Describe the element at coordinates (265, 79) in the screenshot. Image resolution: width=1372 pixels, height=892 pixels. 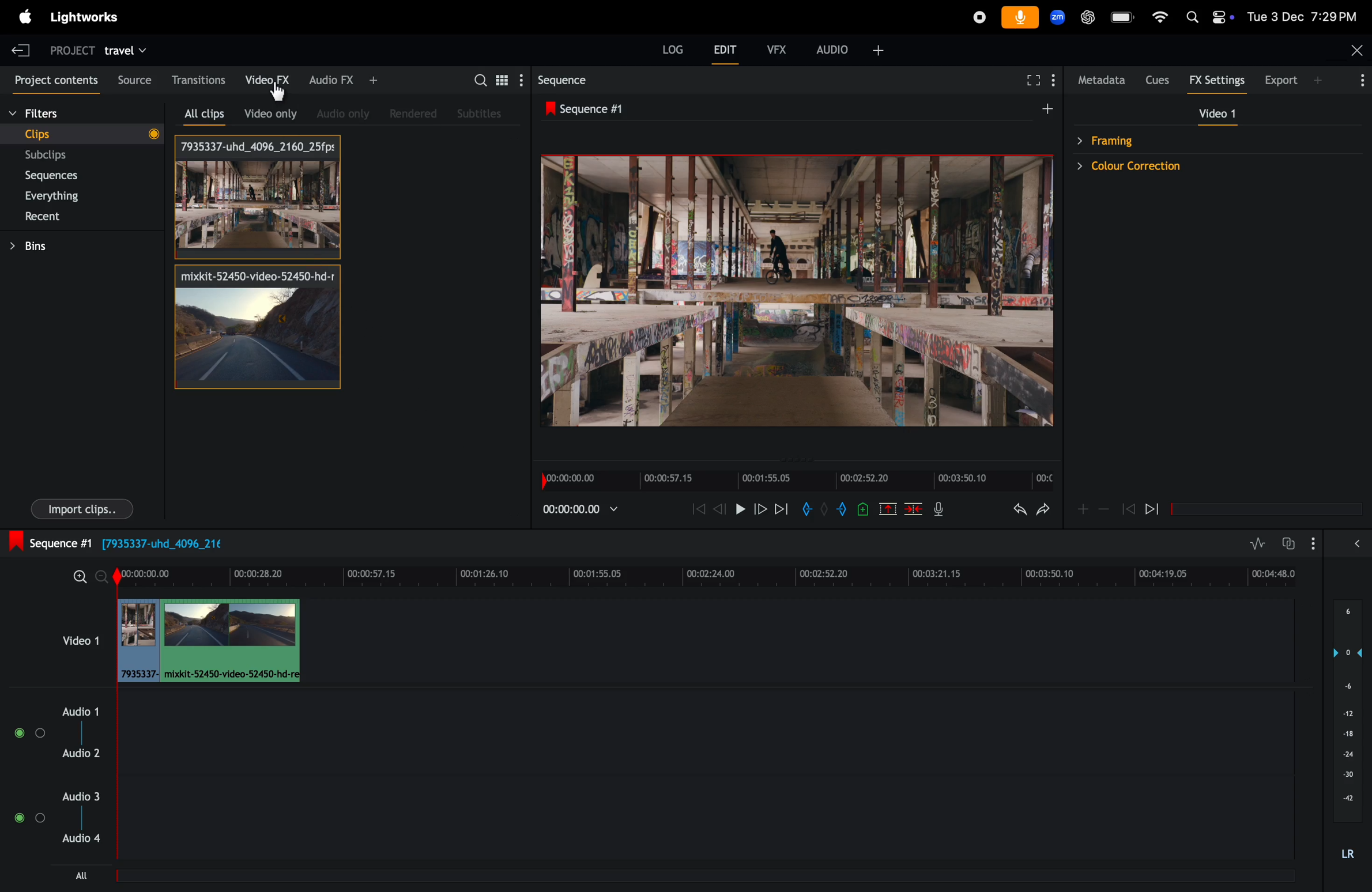
I see `Video fx` at that location.